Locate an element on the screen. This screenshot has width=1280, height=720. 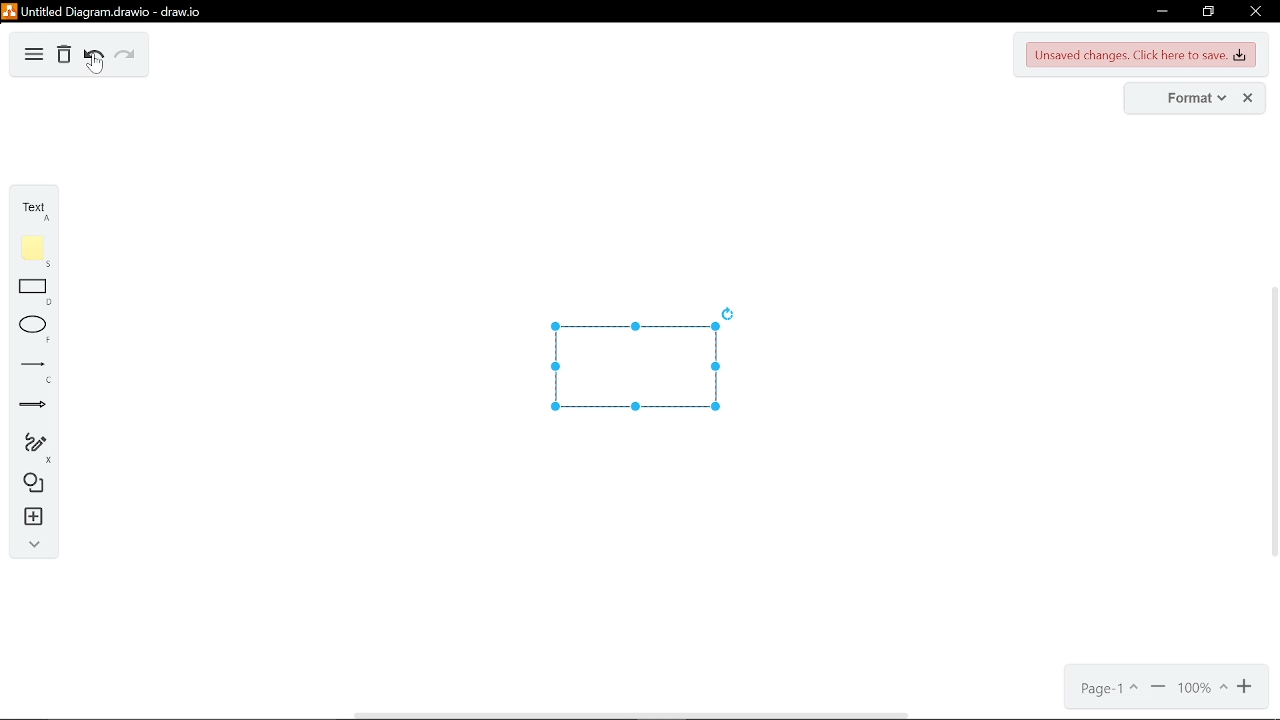
close is located at coordinates (1254, 11).